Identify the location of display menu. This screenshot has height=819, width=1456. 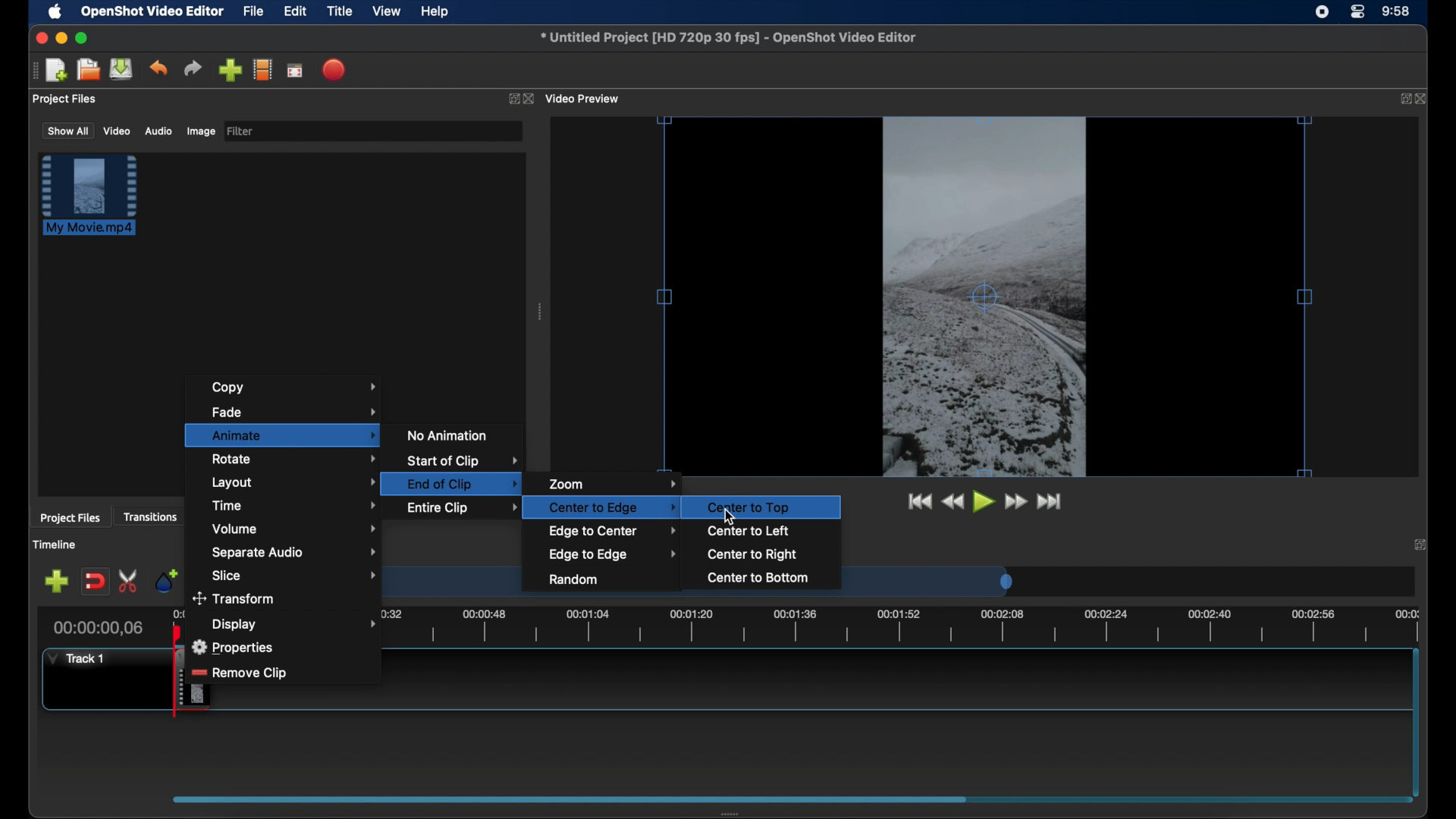
(293, 624).